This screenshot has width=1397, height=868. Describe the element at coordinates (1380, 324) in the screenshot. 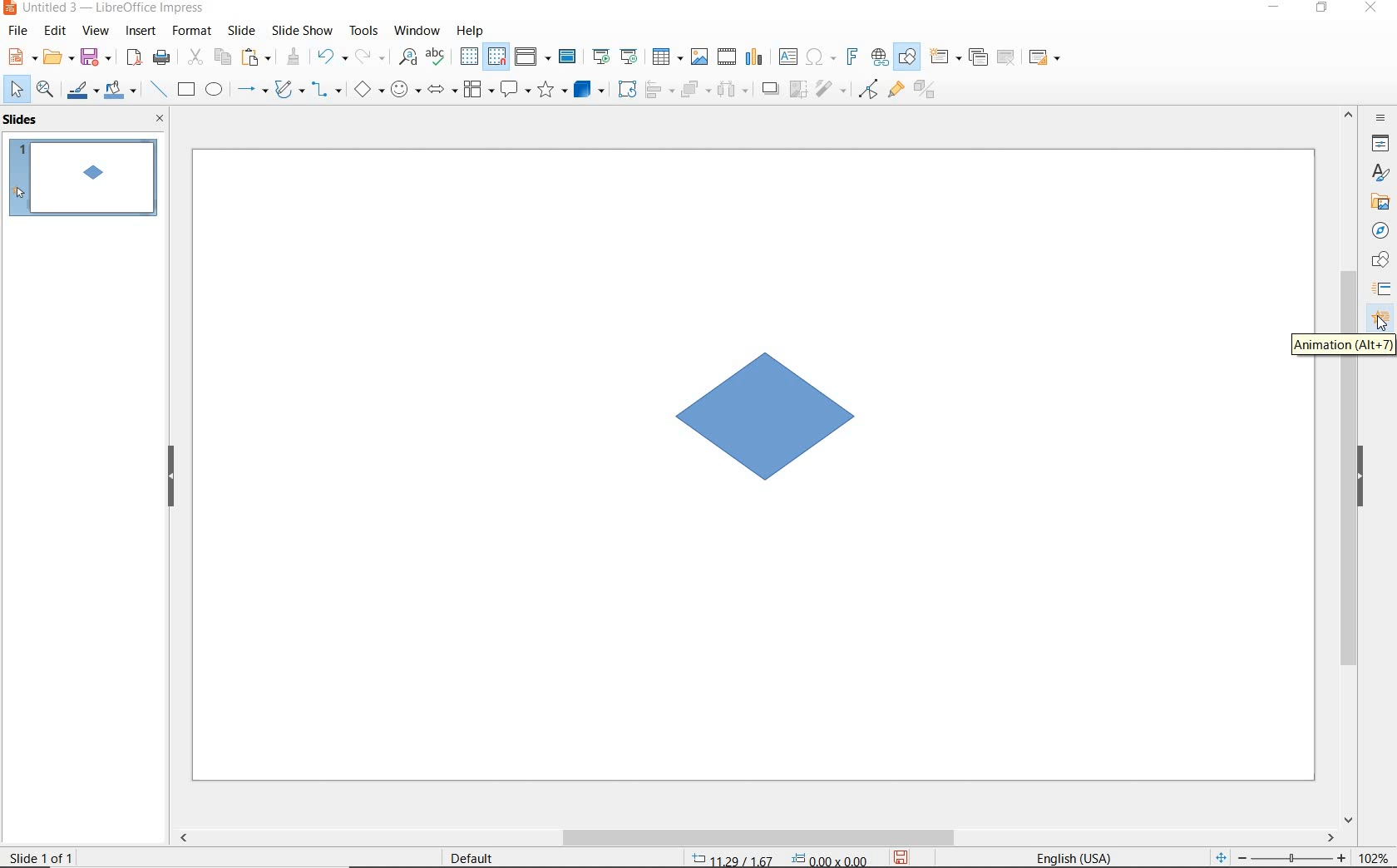

I see `cursor` at that location.